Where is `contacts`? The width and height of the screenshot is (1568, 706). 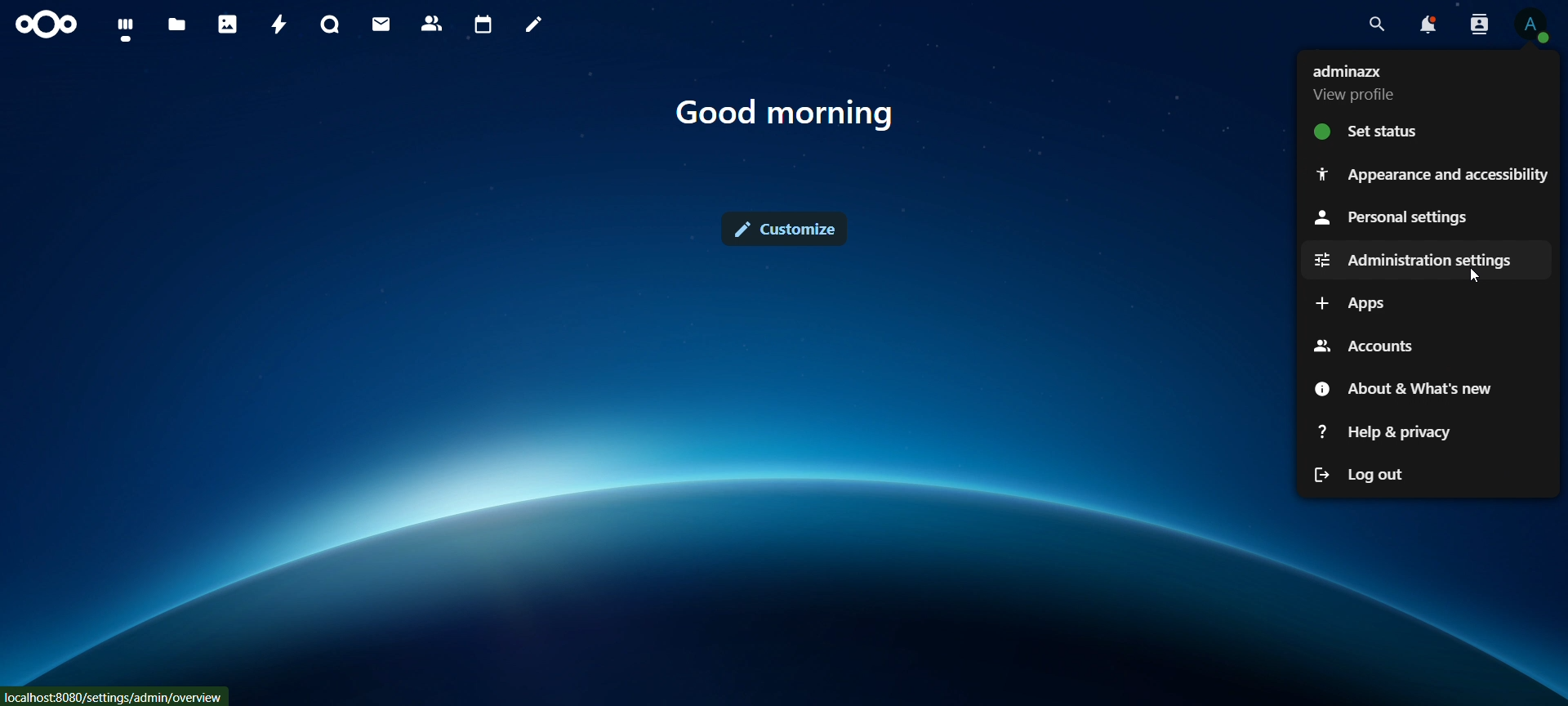 contacts is located at coordinates (433, 25).